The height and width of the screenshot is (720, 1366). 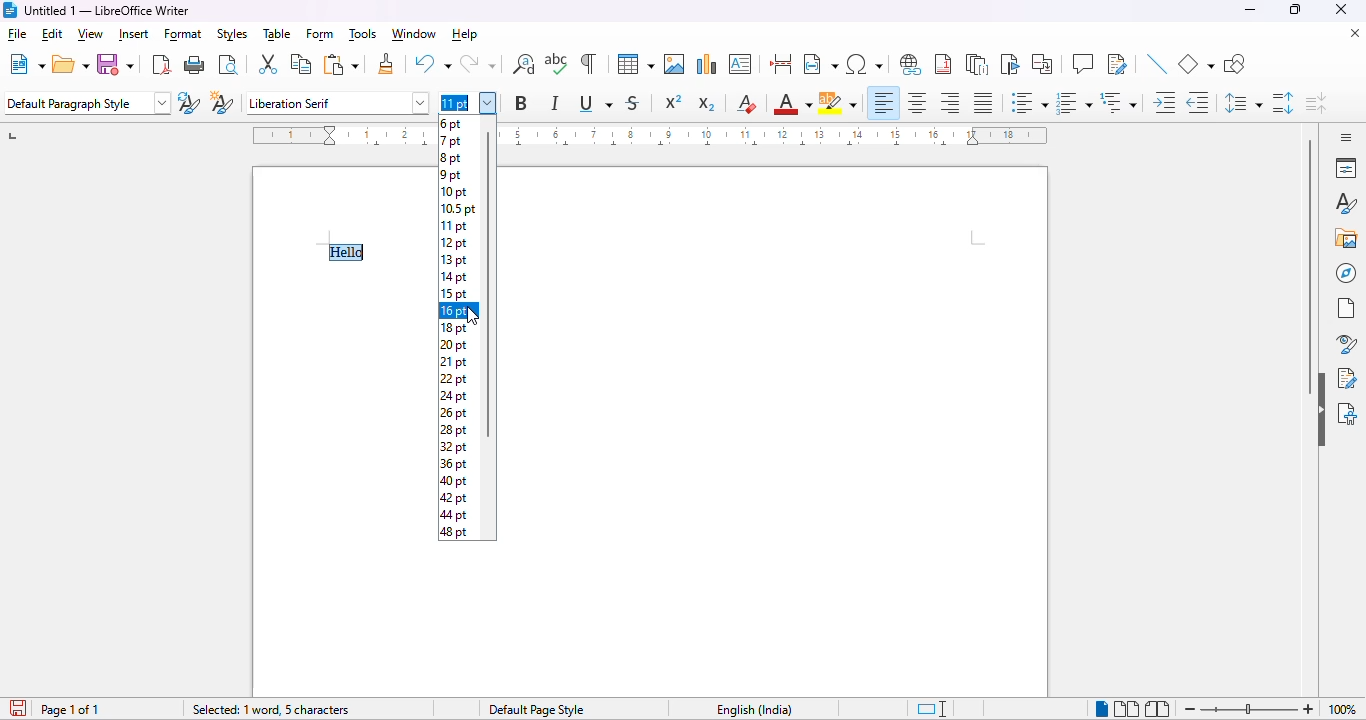 What do you see at coordinates (476, 316) in the screenshot?
I see `cursor` at bounding box center [476, 316].